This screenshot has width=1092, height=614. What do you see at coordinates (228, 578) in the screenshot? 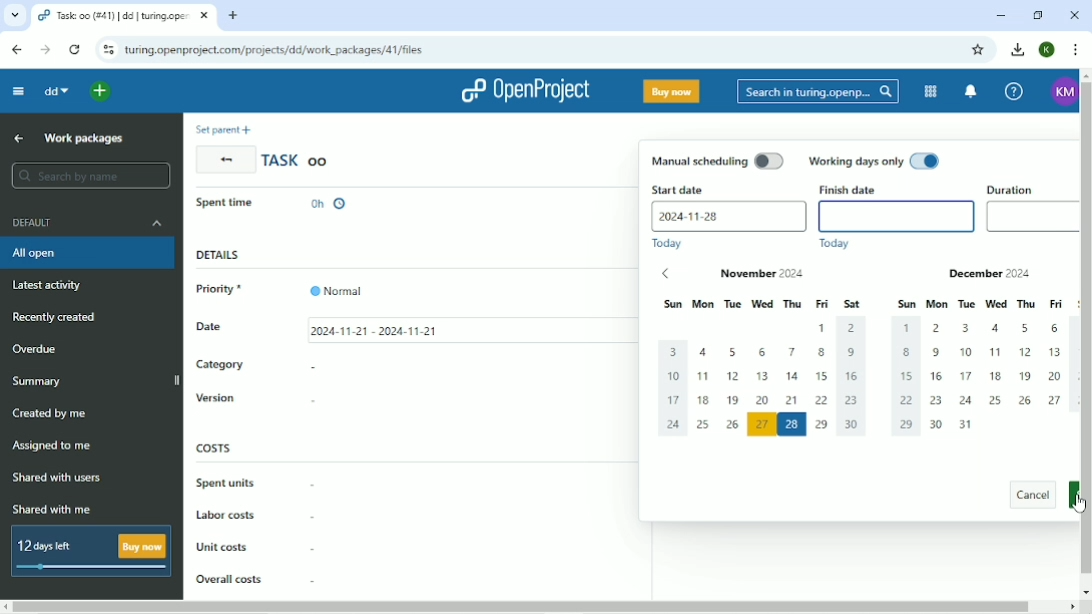
I see `Overall costs` at bounding box center [228, 578].